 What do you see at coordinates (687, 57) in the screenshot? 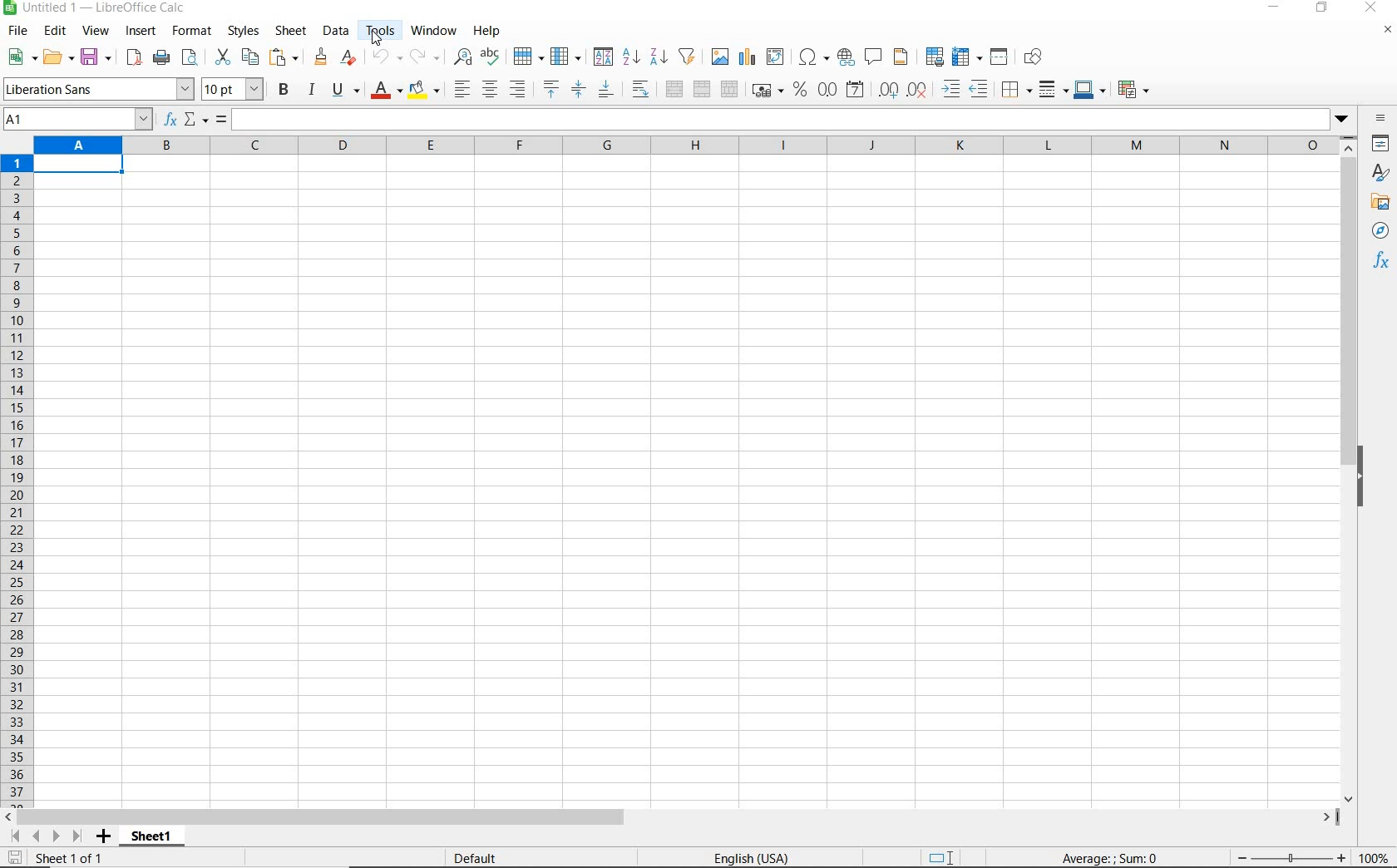
I see `autofilter` at bounding box center [687, 57].